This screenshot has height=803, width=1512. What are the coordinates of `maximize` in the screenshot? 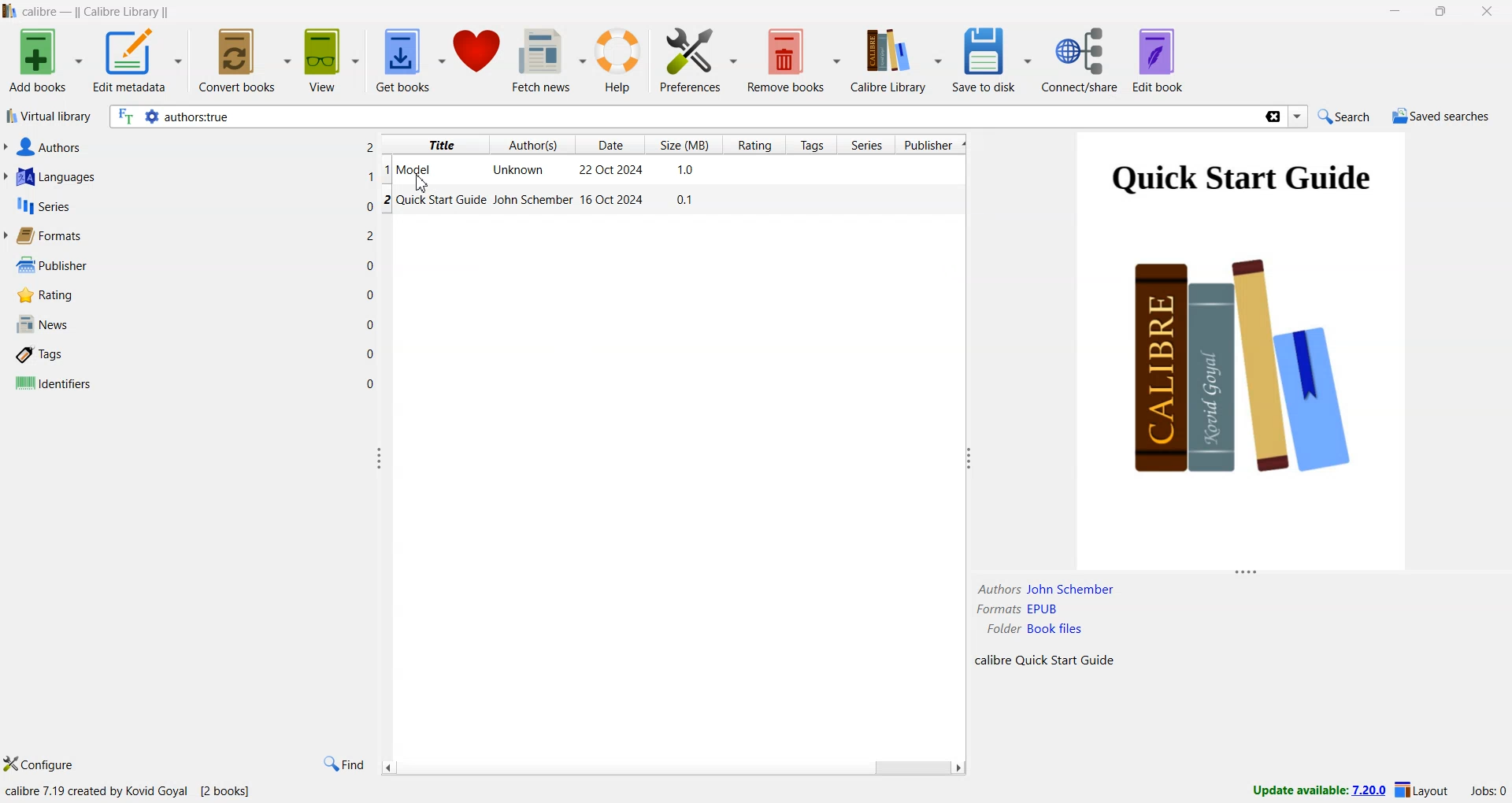 It's located at (1443, 13).